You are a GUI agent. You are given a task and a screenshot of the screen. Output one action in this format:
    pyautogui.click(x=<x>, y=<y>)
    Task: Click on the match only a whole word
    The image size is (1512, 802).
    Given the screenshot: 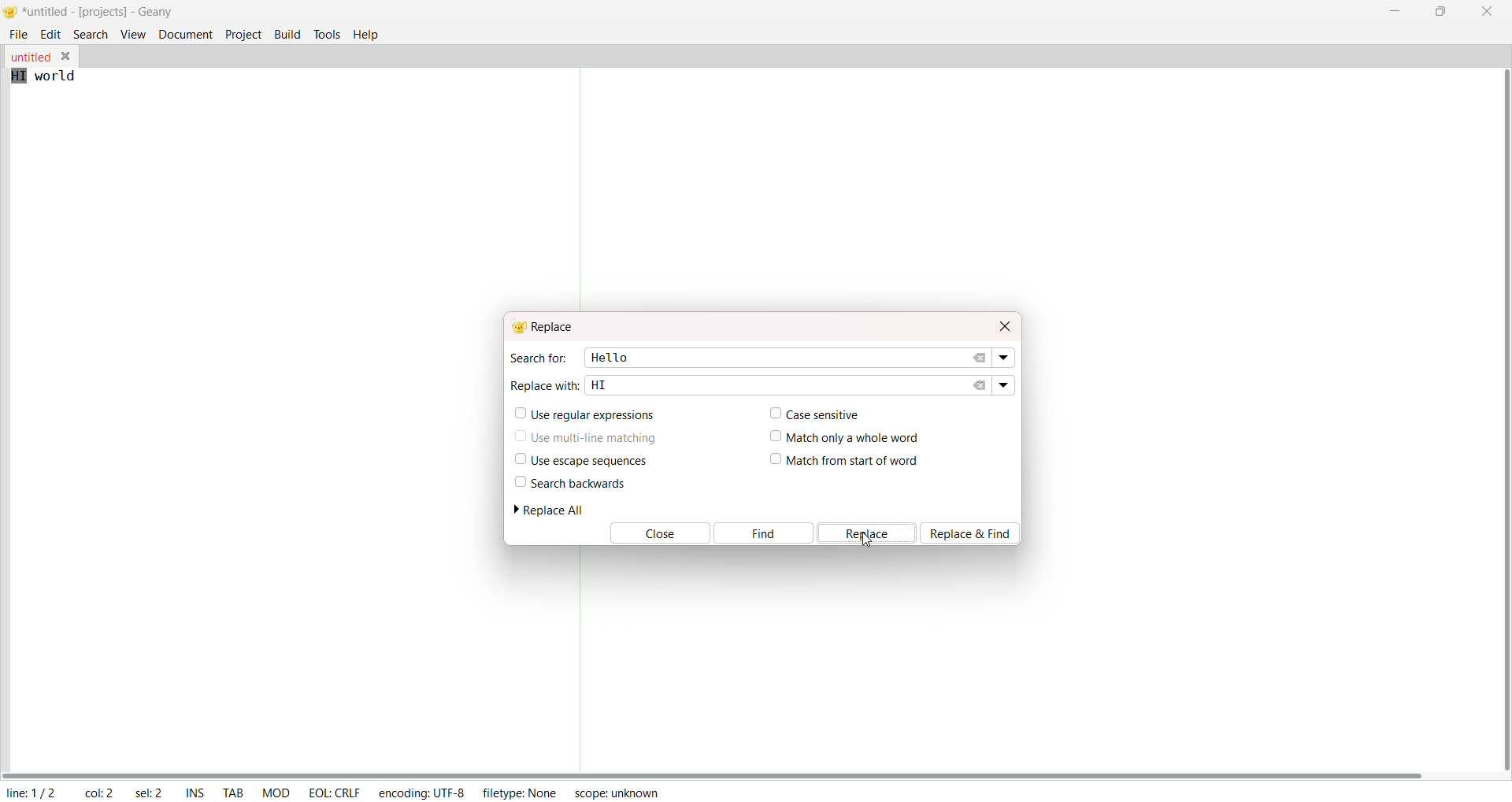 What is the action you would take?
    pyautogui.click(x=847, y=436)
    